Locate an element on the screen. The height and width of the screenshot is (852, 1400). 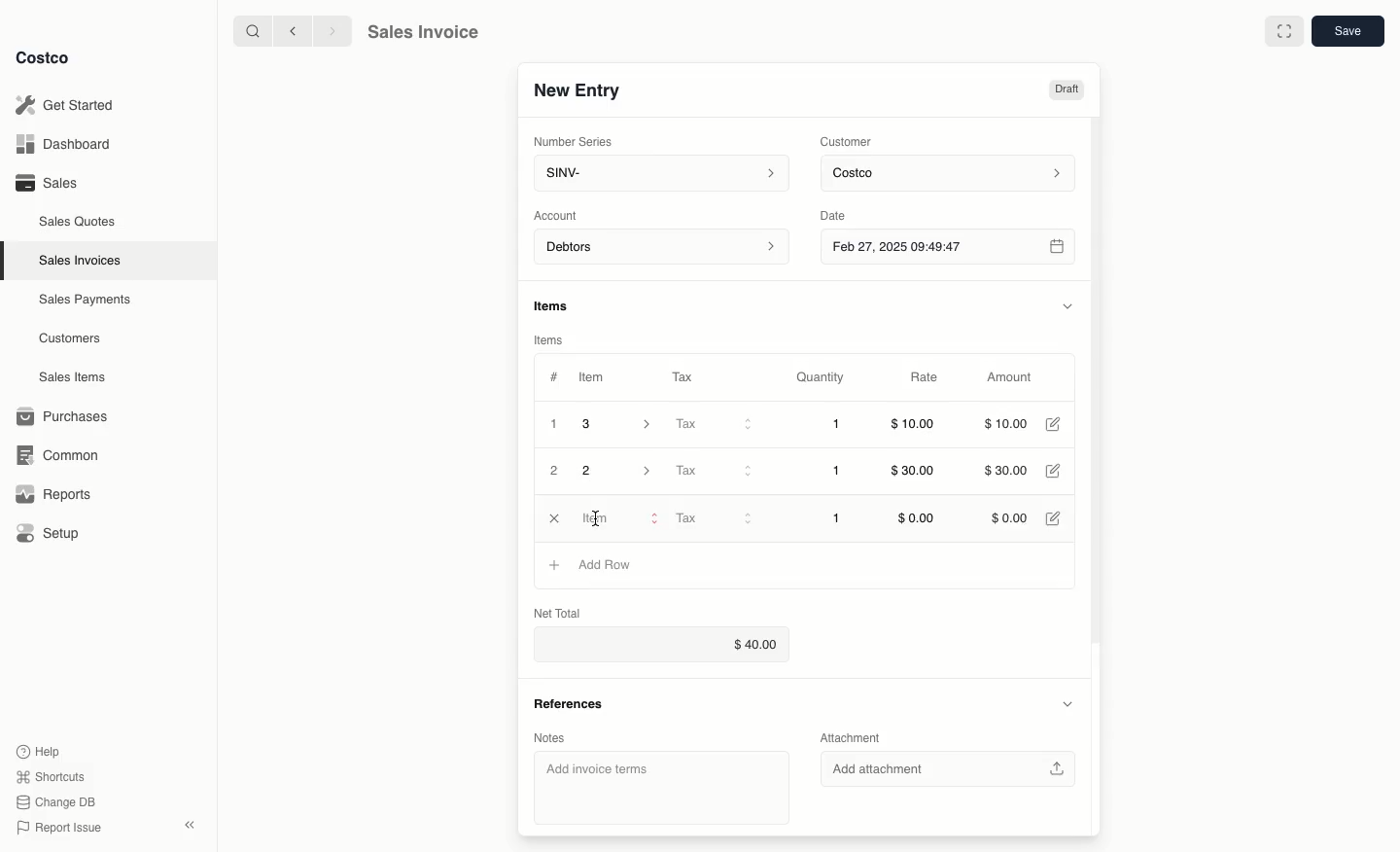
‘Add invoice terms is located at coordinates (659, 786).